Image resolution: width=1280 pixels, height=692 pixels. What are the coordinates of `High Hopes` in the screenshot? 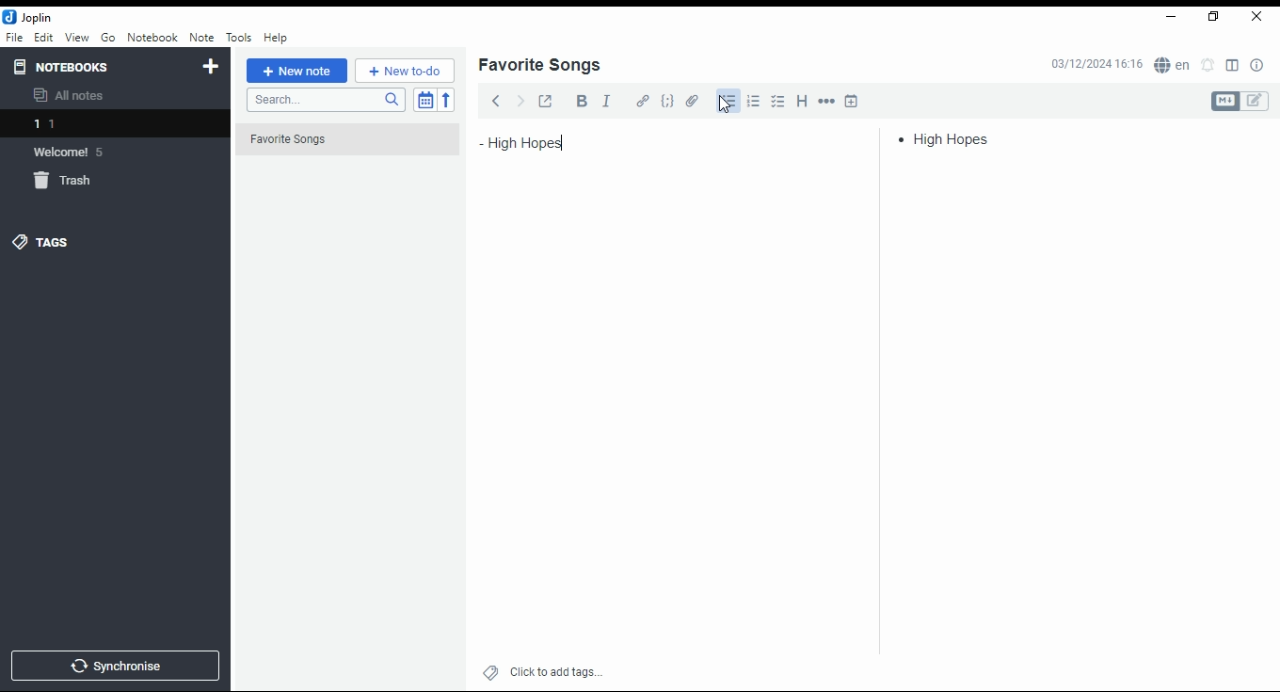 It's located at (949, 138).